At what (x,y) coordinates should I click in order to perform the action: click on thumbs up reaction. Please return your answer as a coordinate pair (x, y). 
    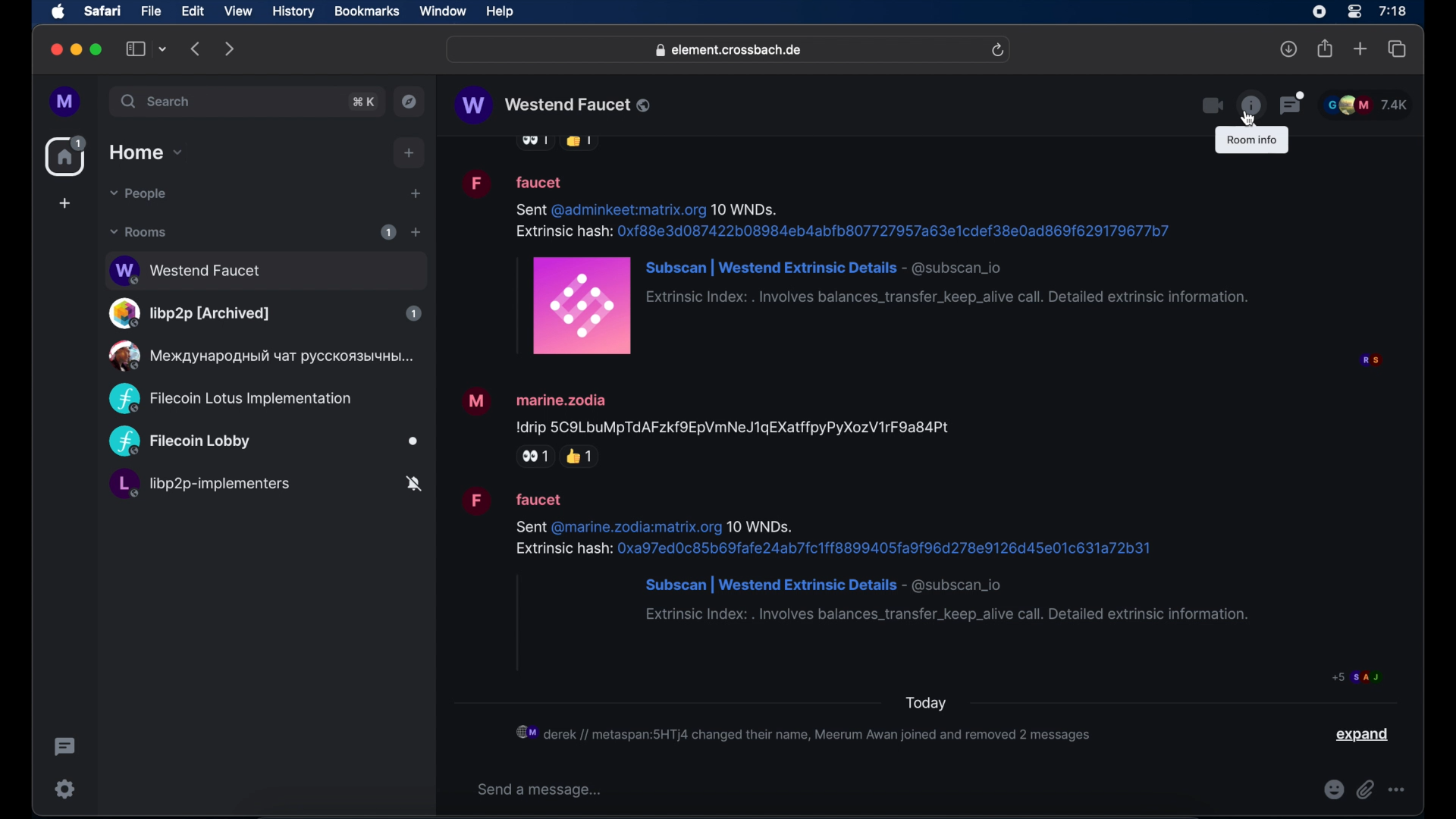
    Looking at the image, I should click on (582, 456).